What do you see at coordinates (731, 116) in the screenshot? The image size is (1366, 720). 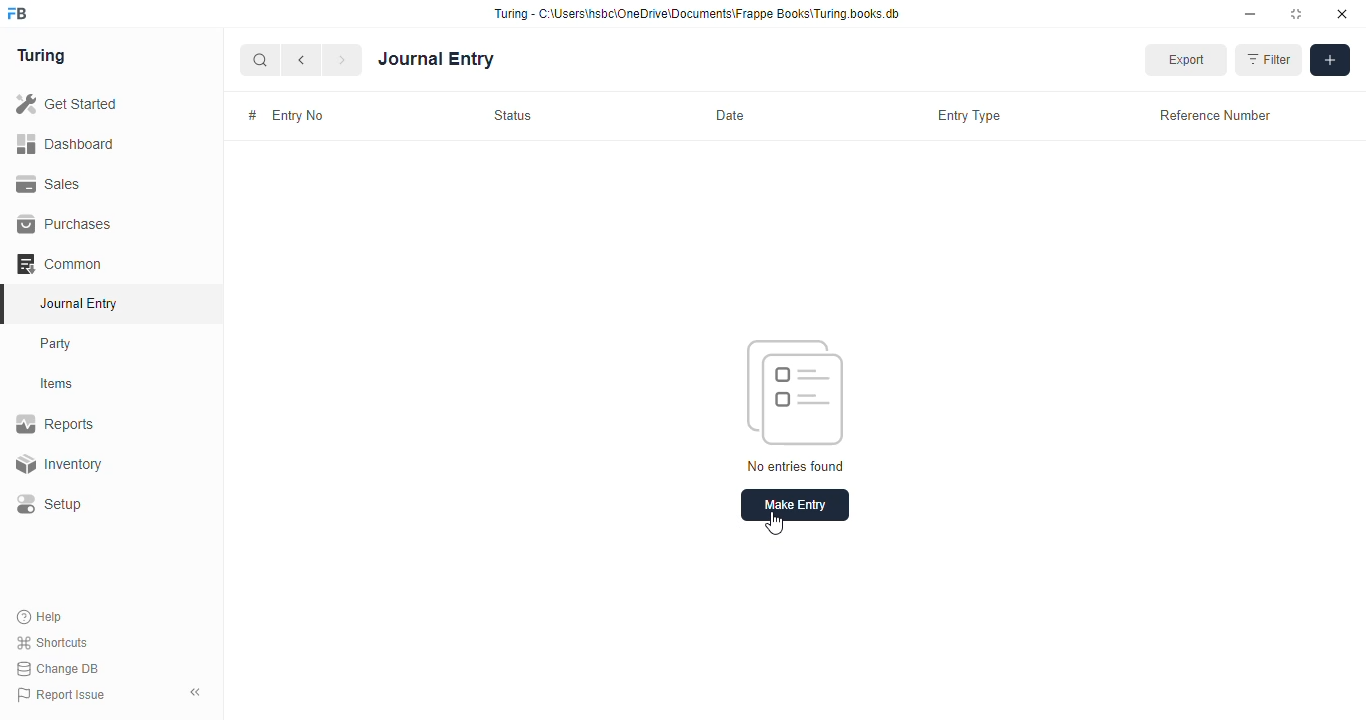 I see `date` at bounding box center [731, 116].